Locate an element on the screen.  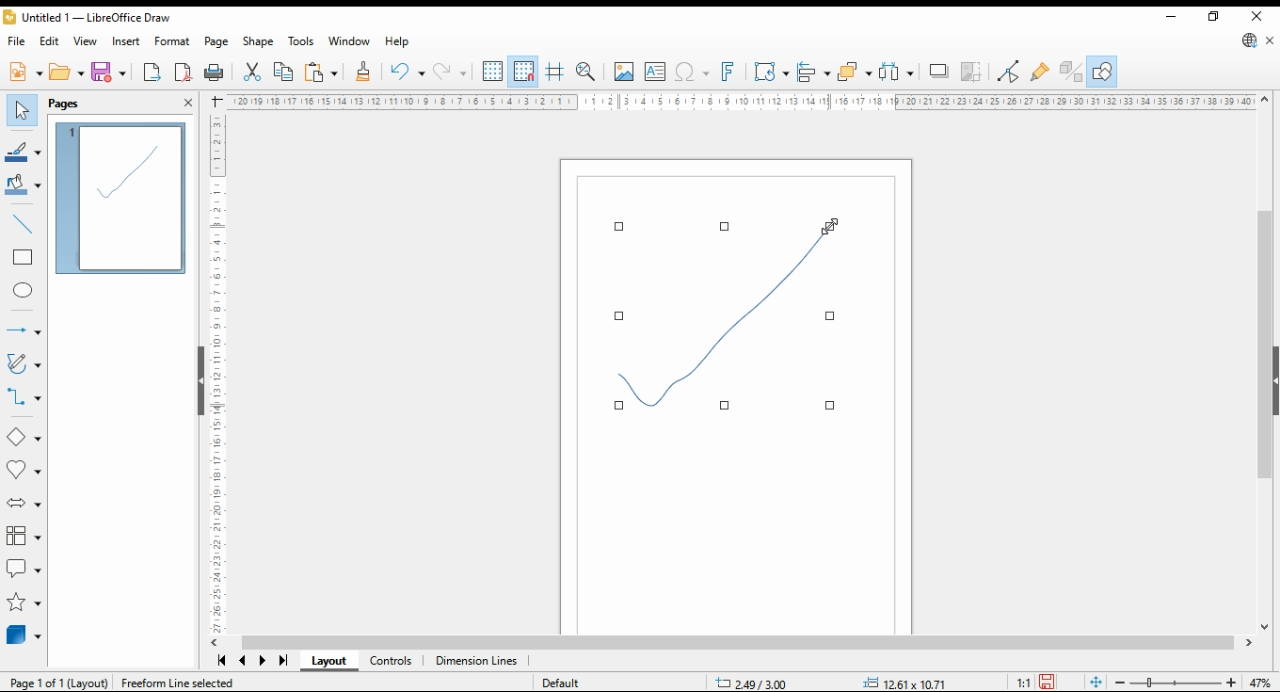
first page is located at coordinates (218, 660).